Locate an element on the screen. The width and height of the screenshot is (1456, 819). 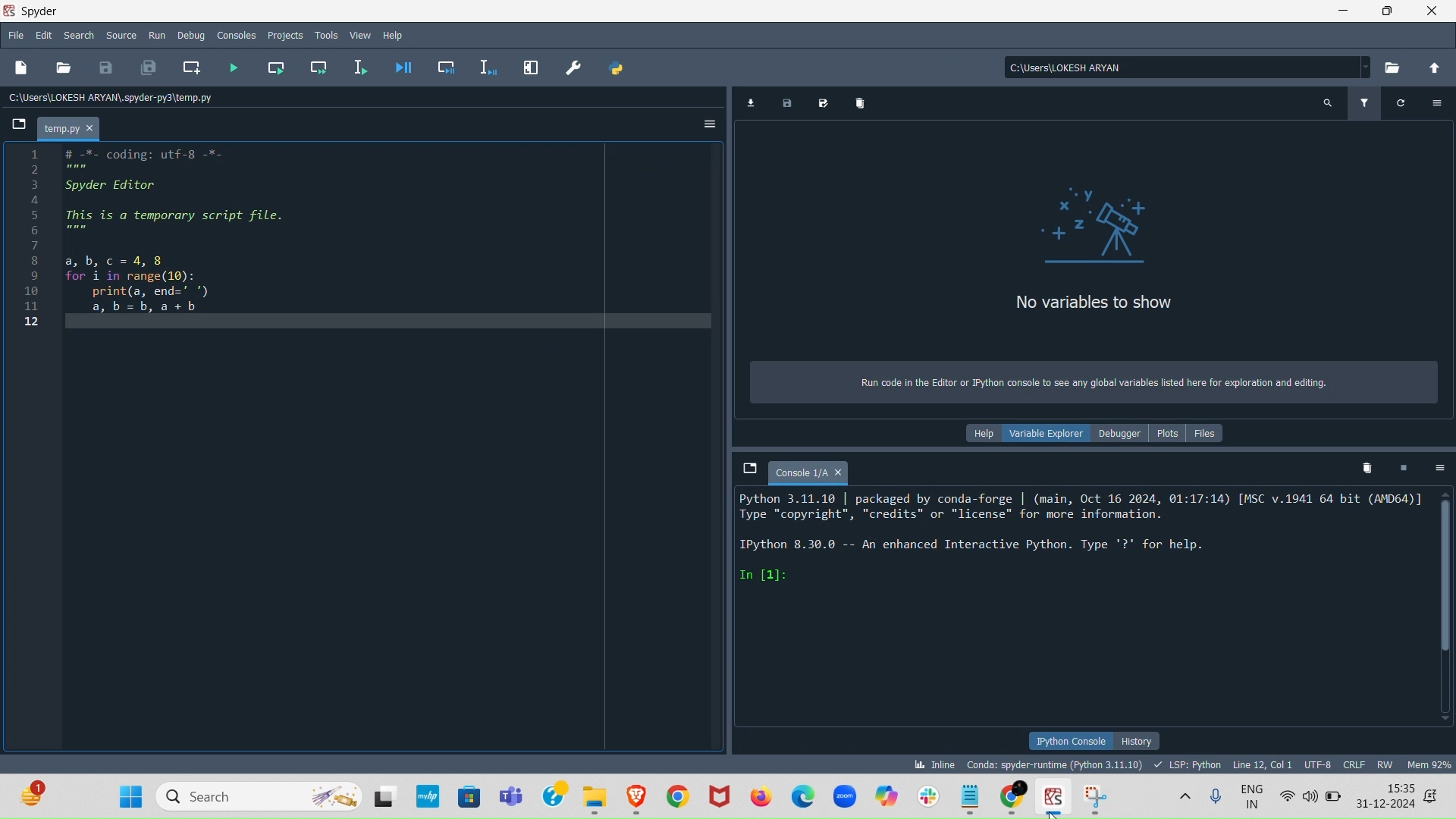
Options is located at coordinates (704, 121).